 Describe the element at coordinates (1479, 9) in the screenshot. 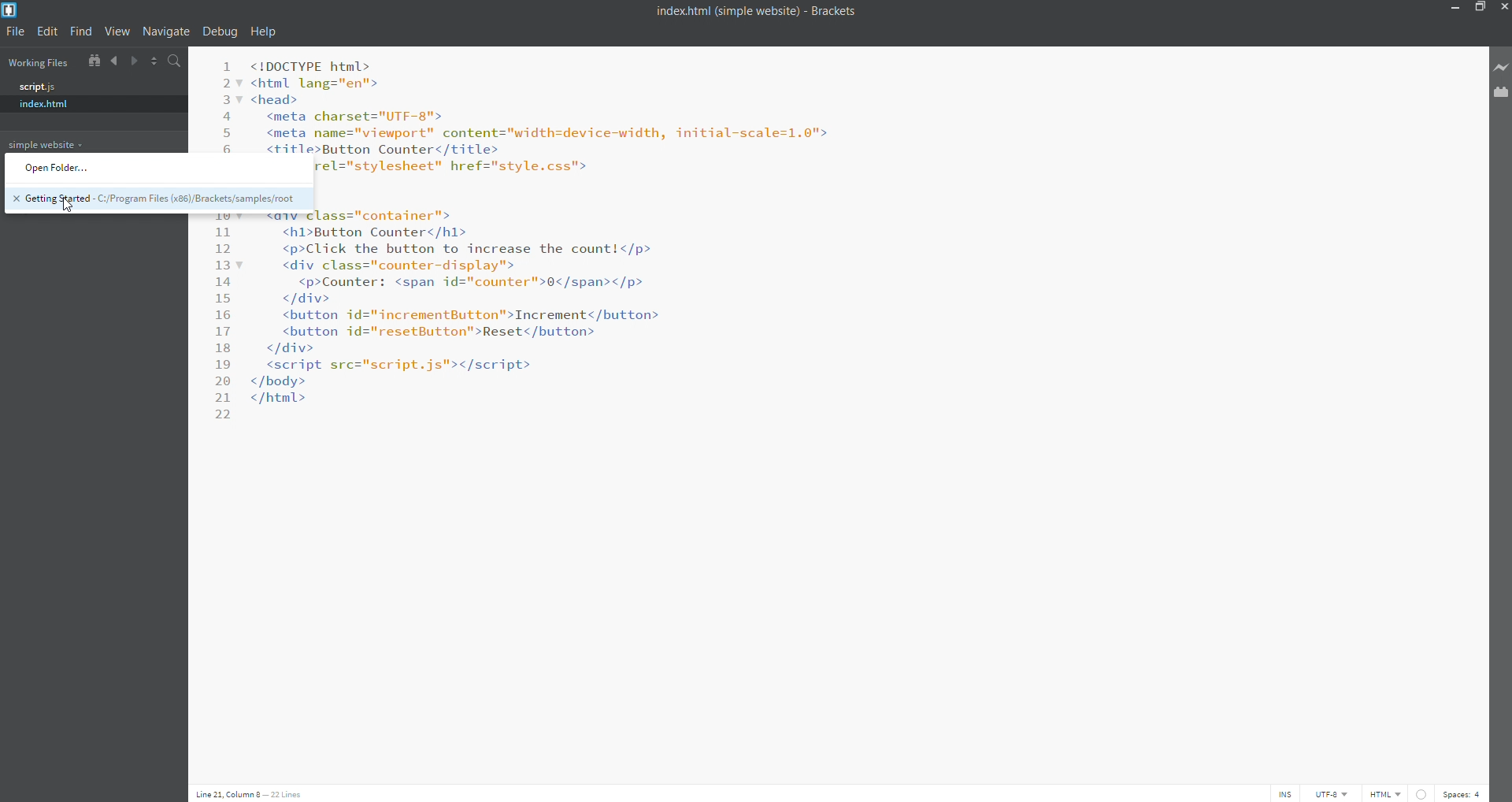

I see `maximize/restore` at that location.